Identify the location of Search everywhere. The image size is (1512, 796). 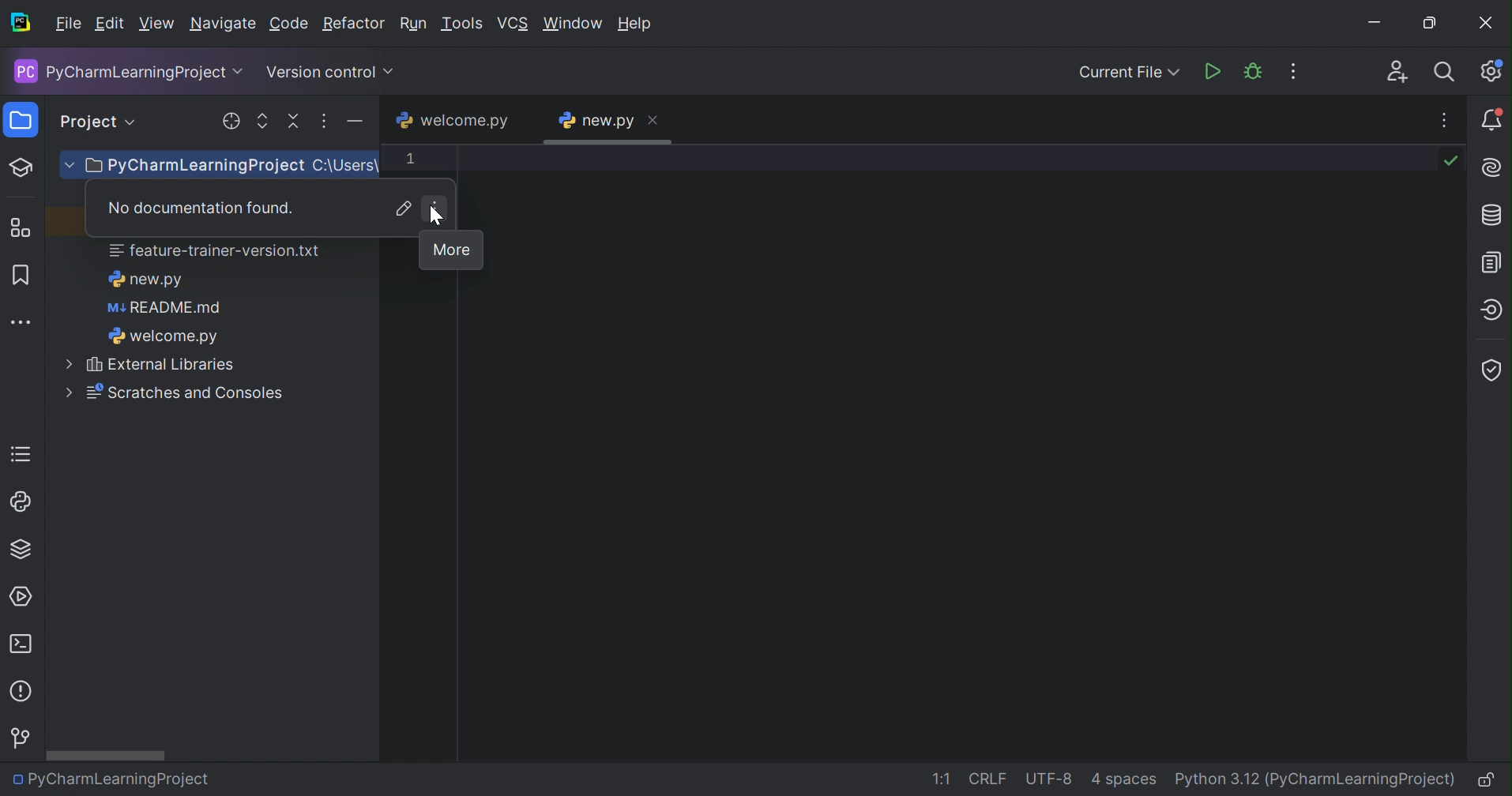
(1446, 74).